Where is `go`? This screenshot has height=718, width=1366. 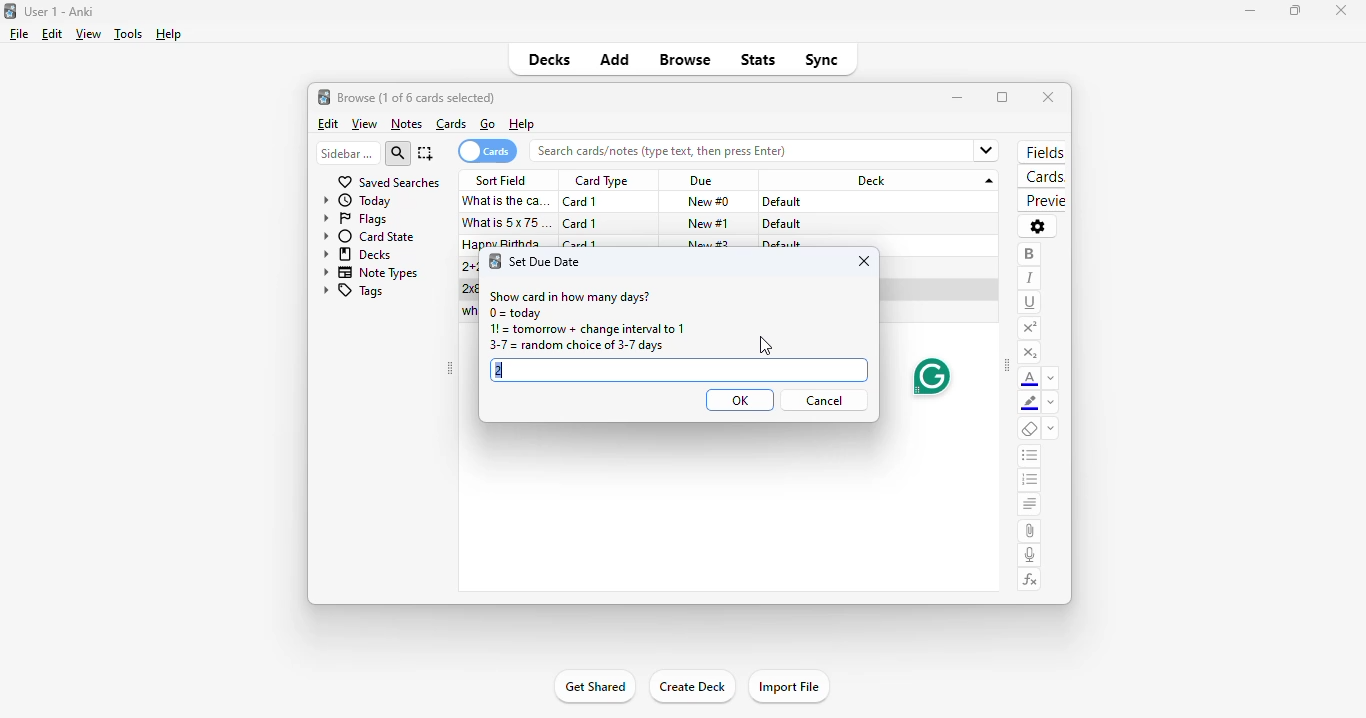 go is located at coordinates (488, 124).